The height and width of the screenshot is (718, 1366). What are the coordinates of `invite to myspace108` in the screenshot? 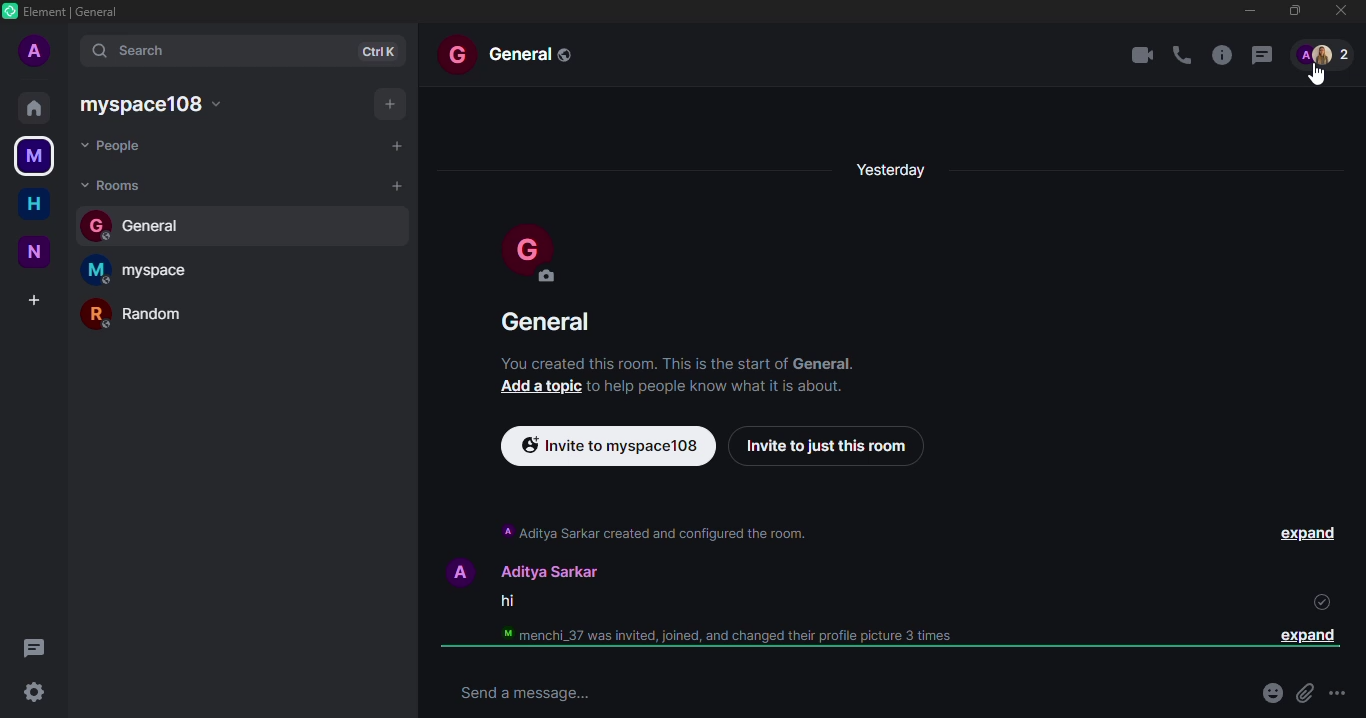 It's located at (606, 444).